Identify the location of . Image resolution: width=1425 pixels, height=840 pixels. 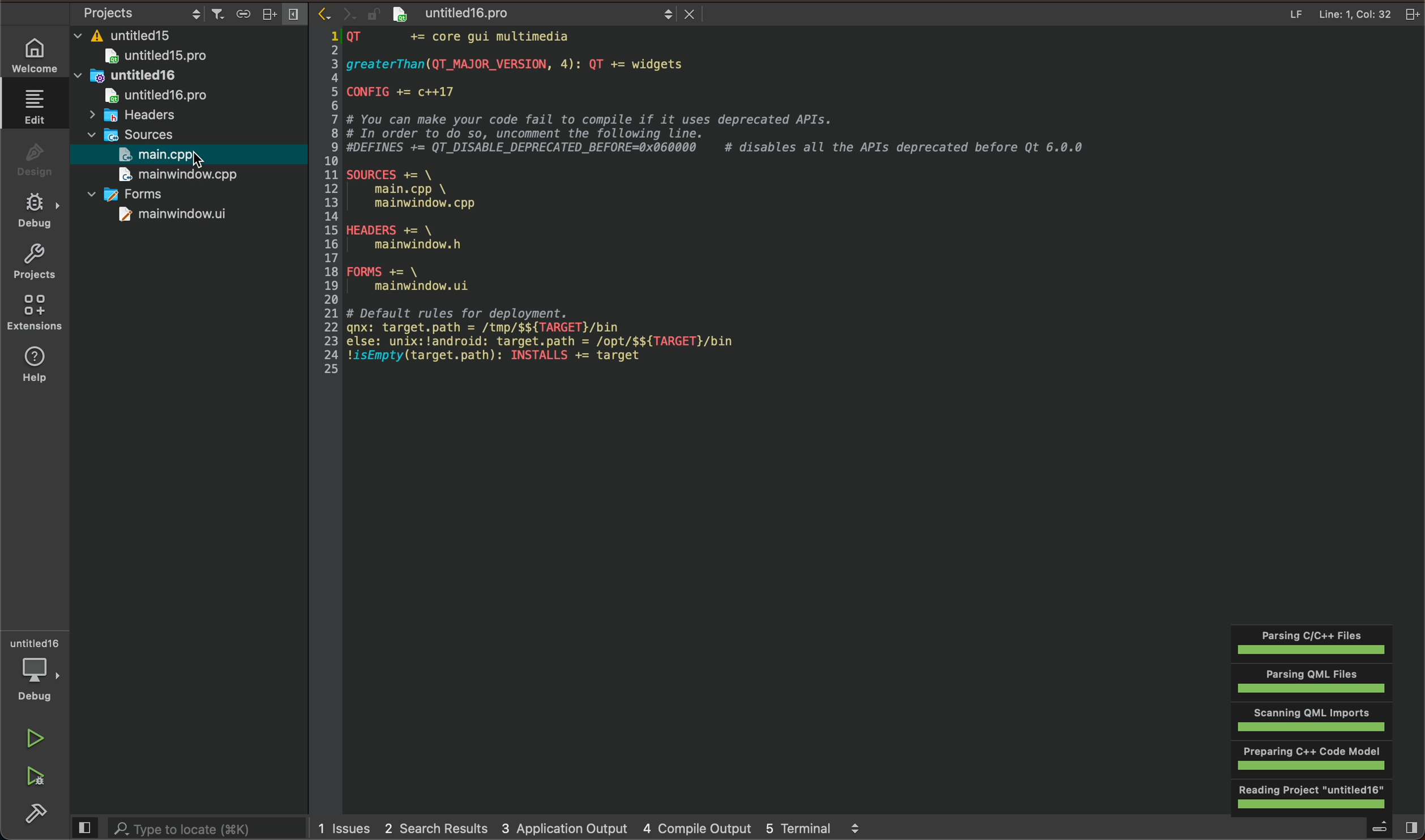
(1397, 13).